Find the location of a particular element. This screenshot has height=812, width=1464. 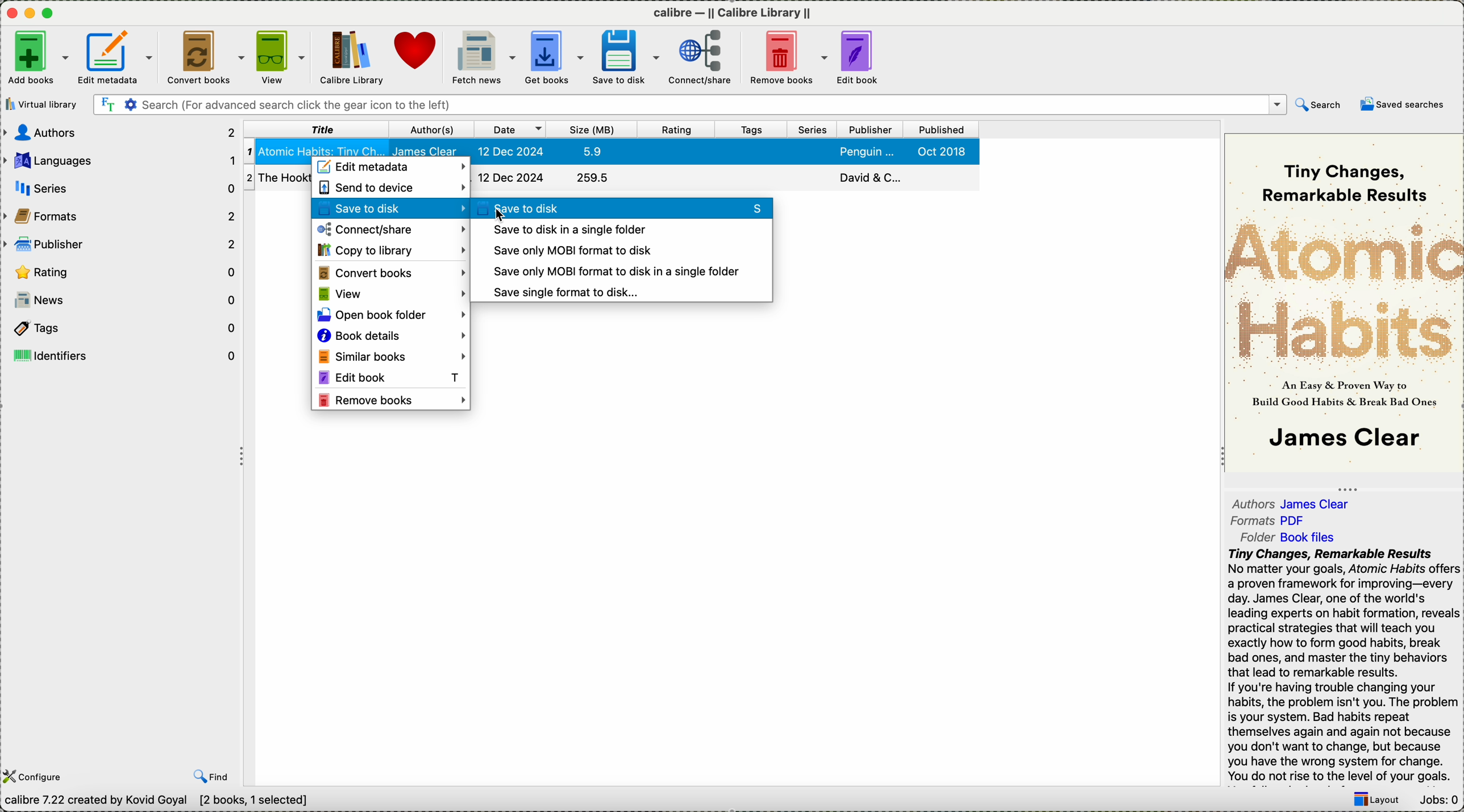

calibre 7.22 created by Kavid Goyal [2 books , 1 selected] is located at coordinates (165, 802).